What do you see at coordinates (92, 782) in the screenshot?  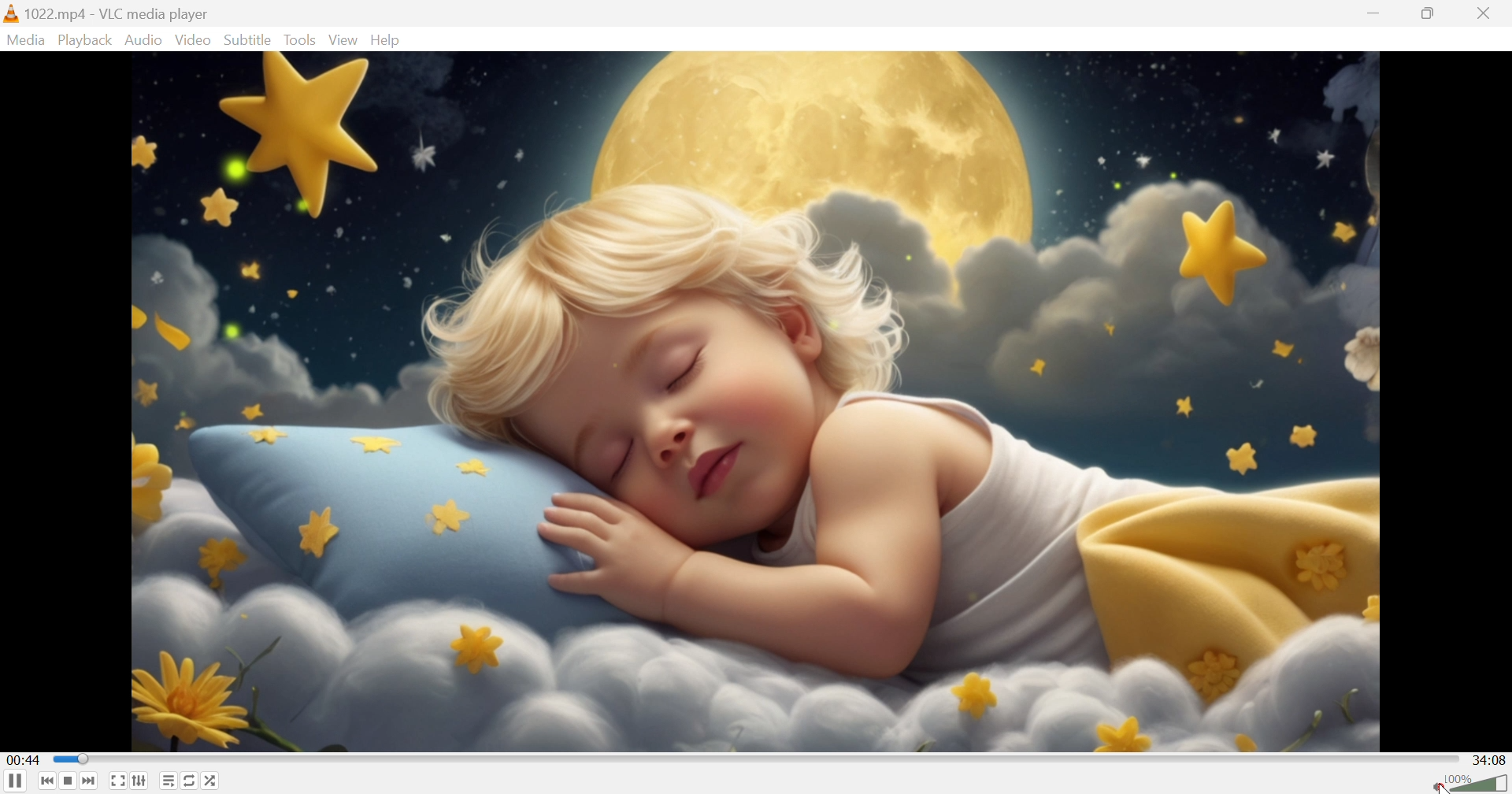 I see `Next media in the playlist, skip forward when held` at bounding box center [92, 782].